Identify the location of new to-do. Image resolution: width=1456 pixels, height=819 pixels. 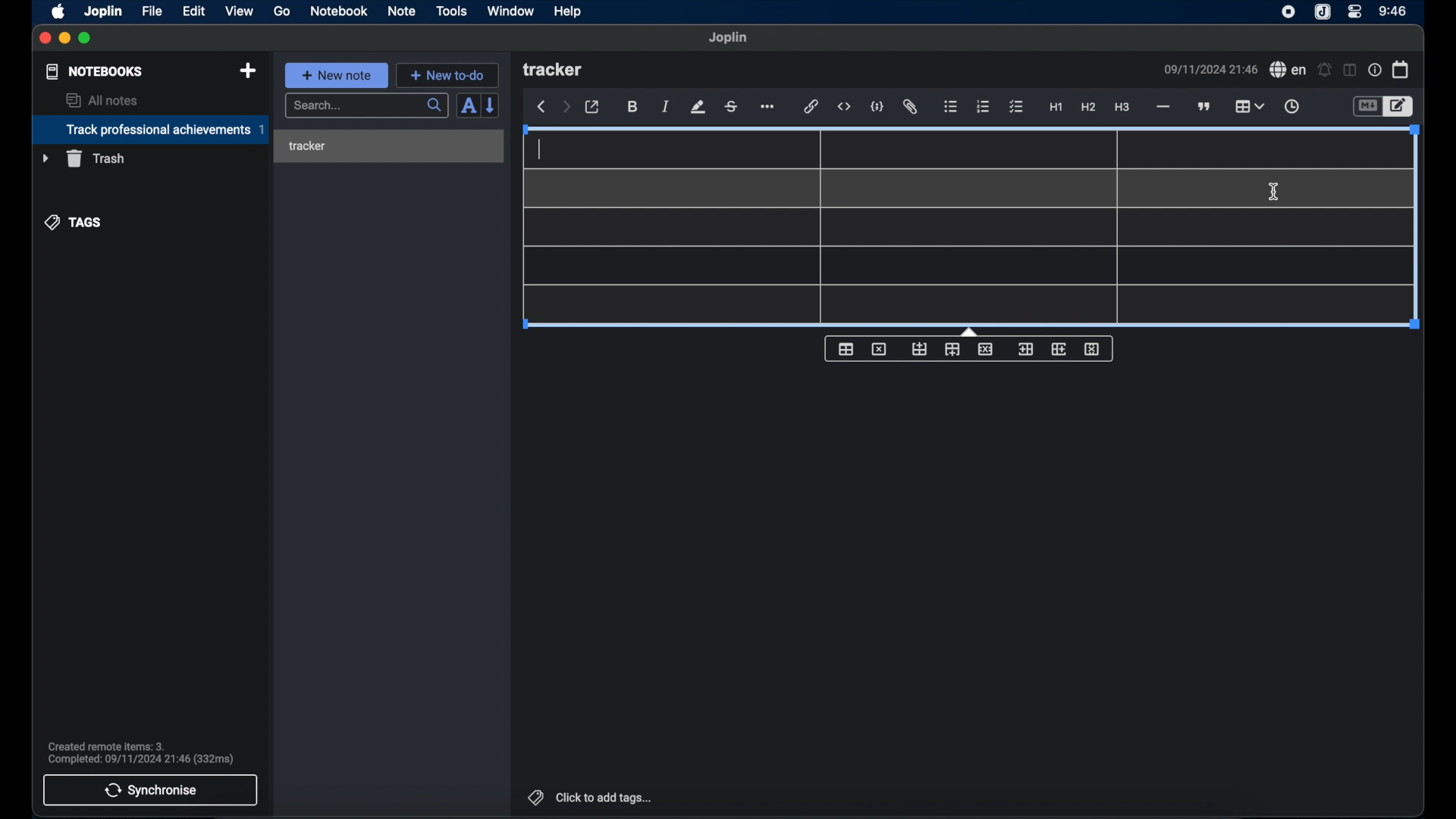
(447, 75).